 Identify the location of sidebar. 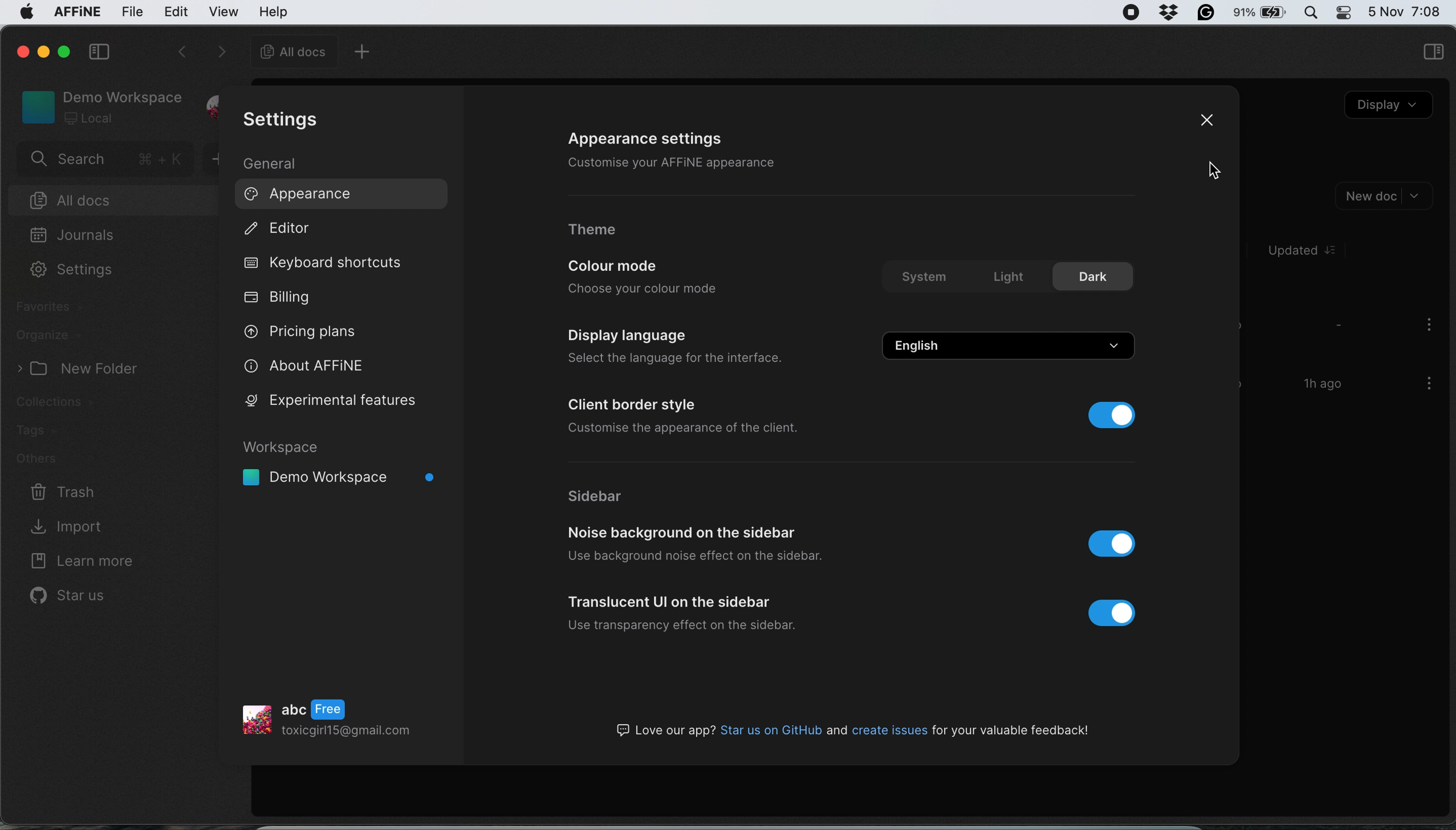
(597, 495).